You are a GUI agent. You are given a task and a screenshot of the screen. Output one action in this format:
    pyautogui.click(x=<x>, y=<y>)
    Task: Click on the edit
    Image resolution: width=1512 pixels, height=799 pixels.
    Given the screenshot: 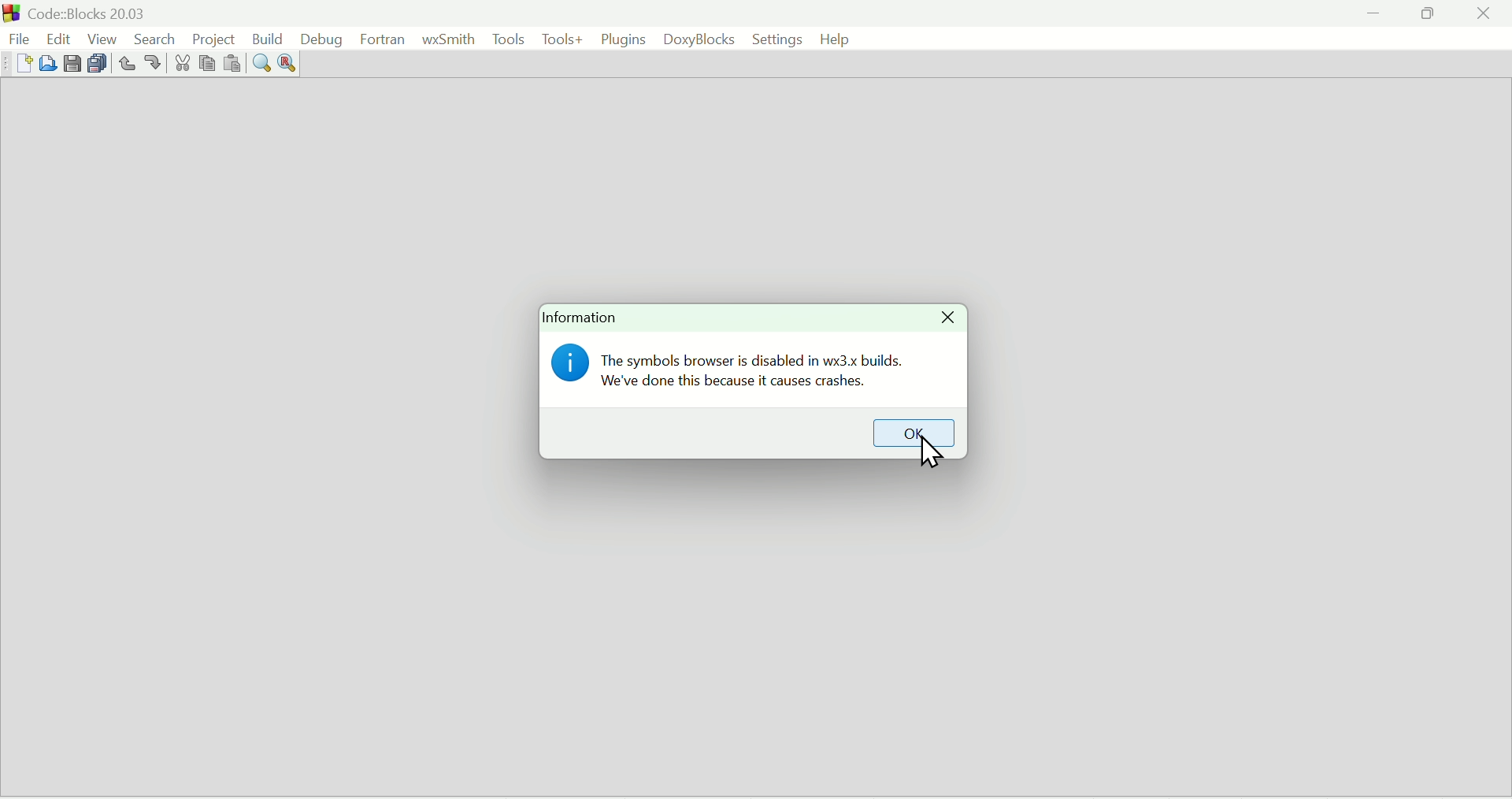 What is the action you would take?
    pyautogui.click(x=57, y=36)
    